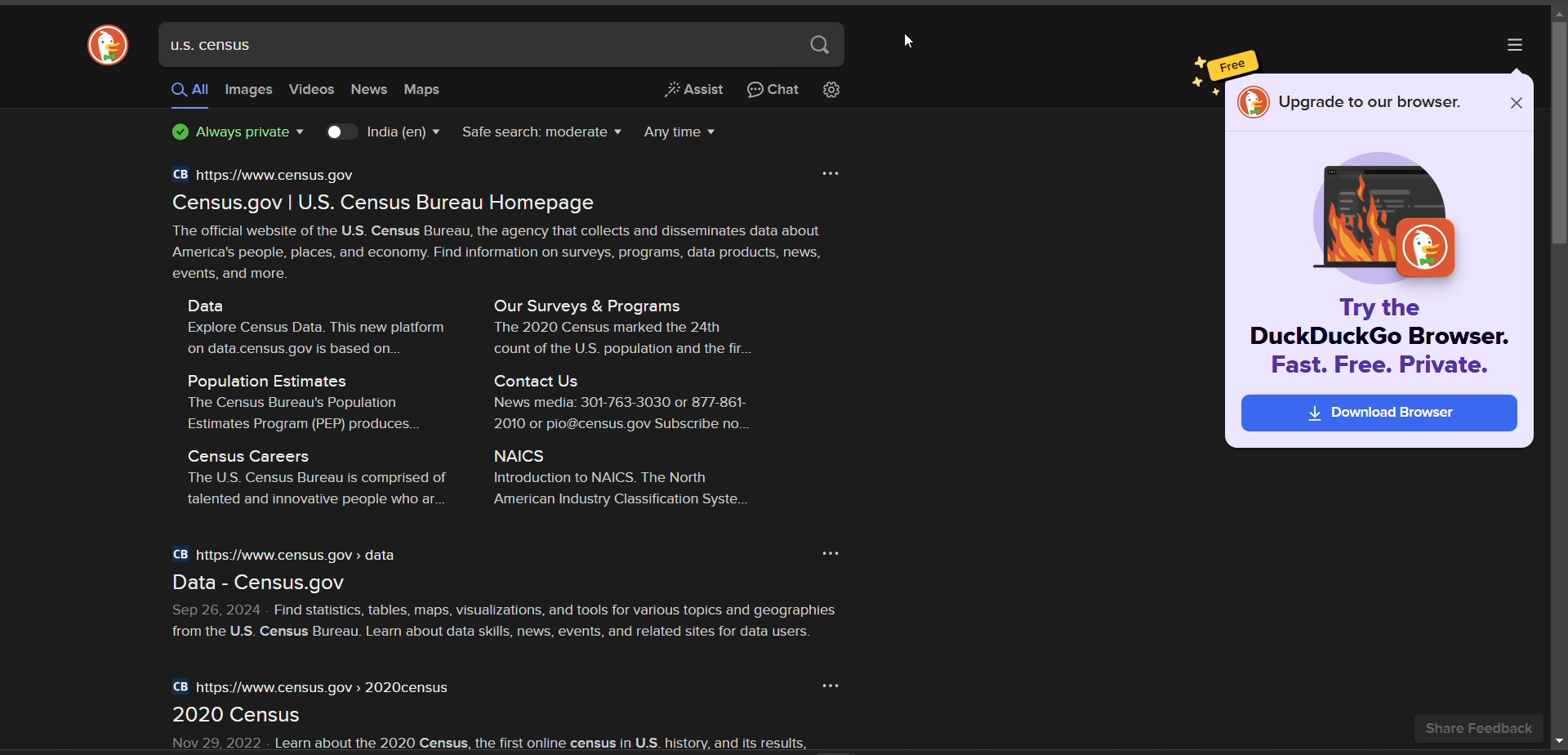 Image resolution: width=1568 pixels, height=755 pixels. Describe the element at coordinates (621, 494) in the screenshot. I see `Introduction to NAILS. The North
American Industry Classification Syste...` at that location.